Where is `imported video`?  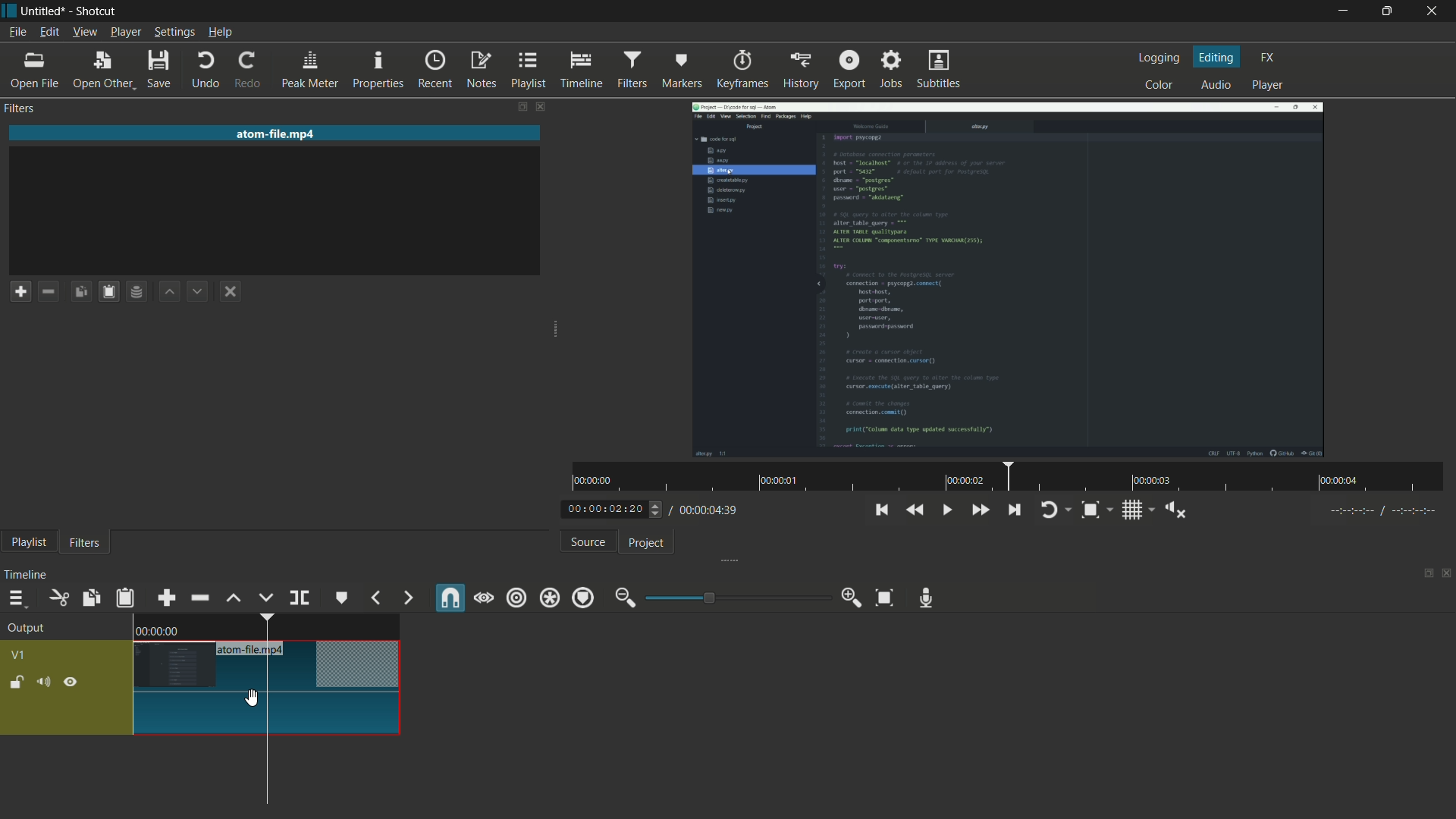
imported video is located at coordinates (1009, 278).